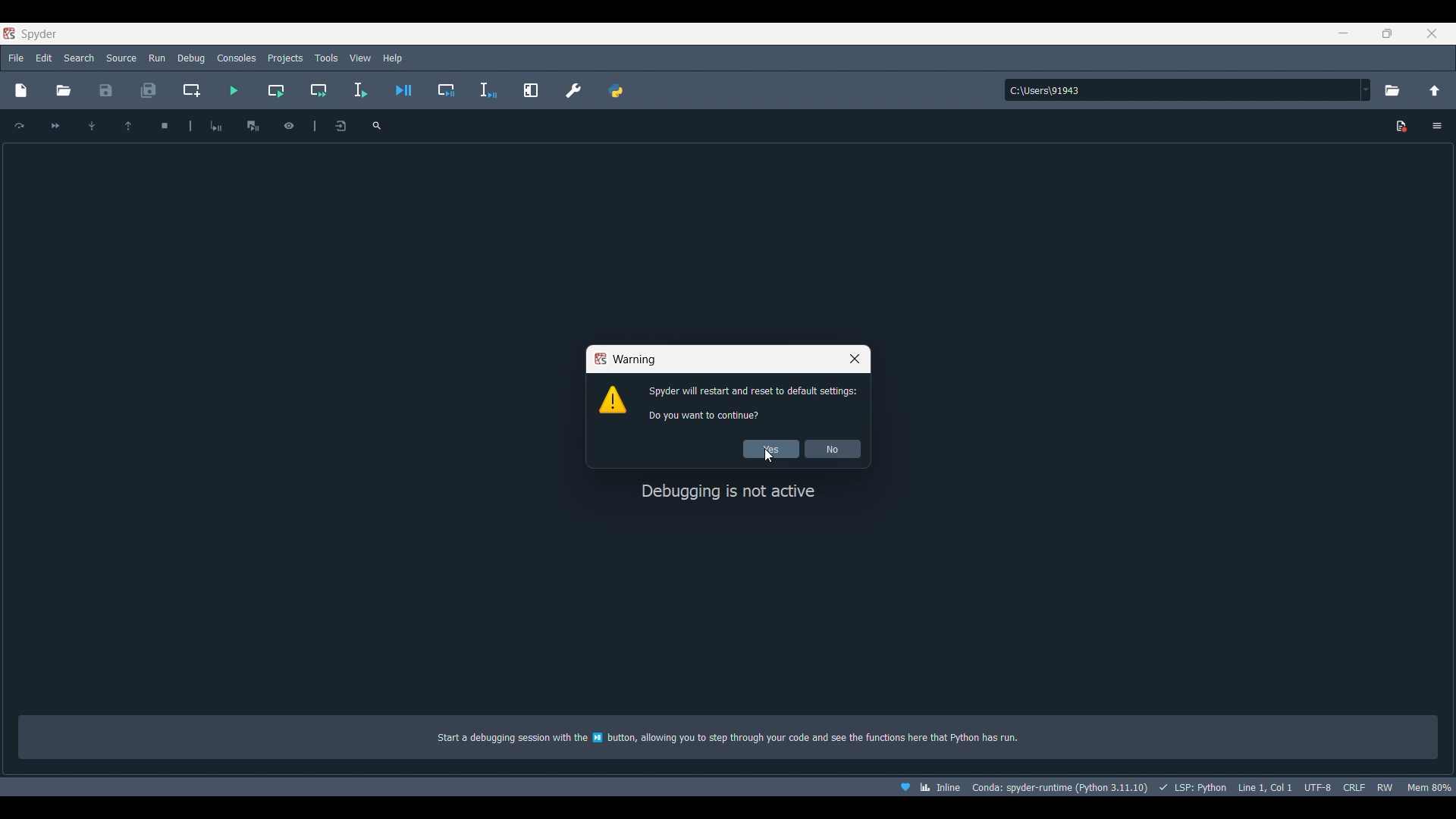 Image resolution: width=1456 pixels, height=819 pixels. What do you see at coordinates (447, 90) in the screenshot?
I see `Debug cell` at bounding box center [447, 90].